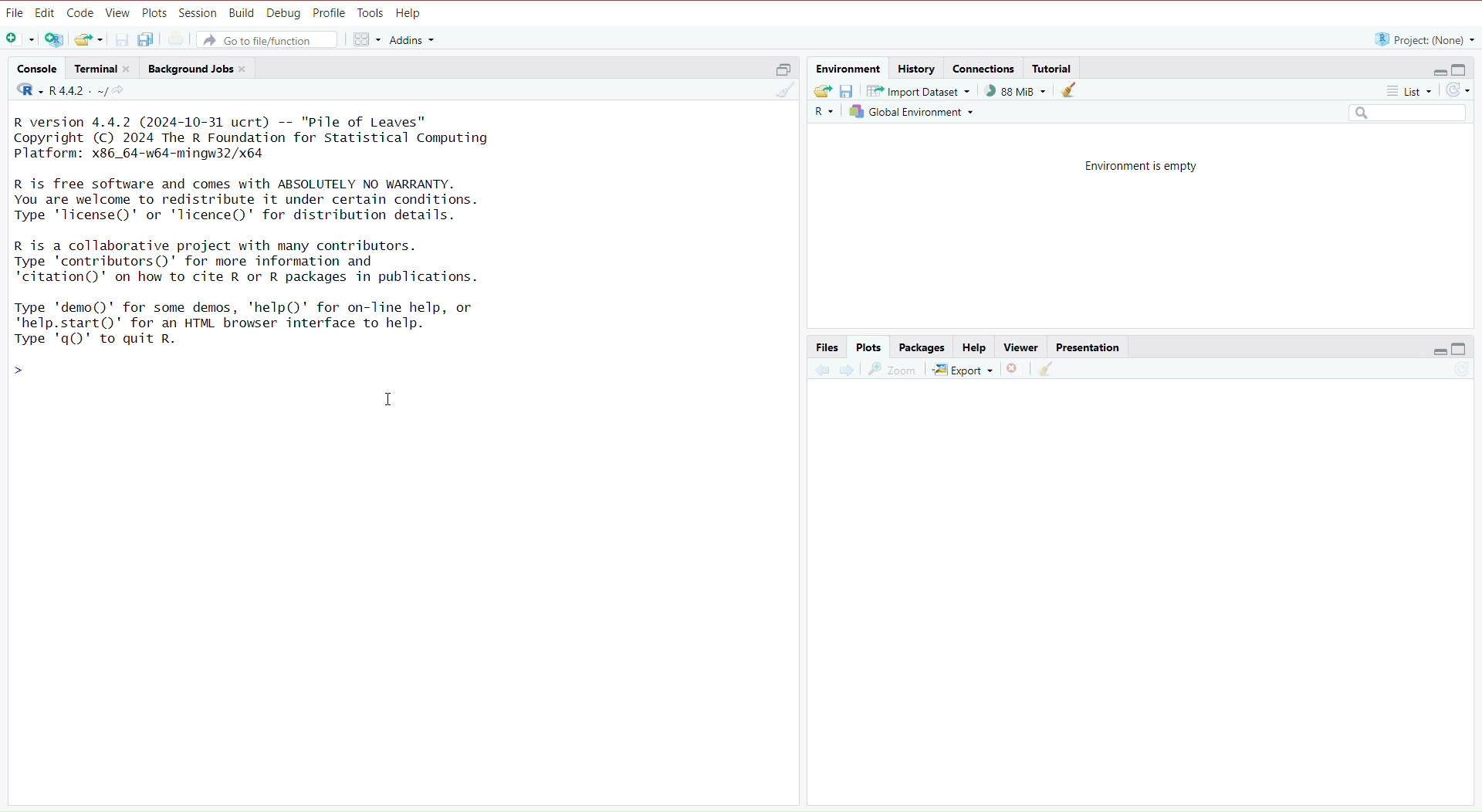 The width and height of the screenshot is (1482, 812). What do you see at coordinates (822, 114) in the screenshot?
I see `R` at bounding box center [822, 114].